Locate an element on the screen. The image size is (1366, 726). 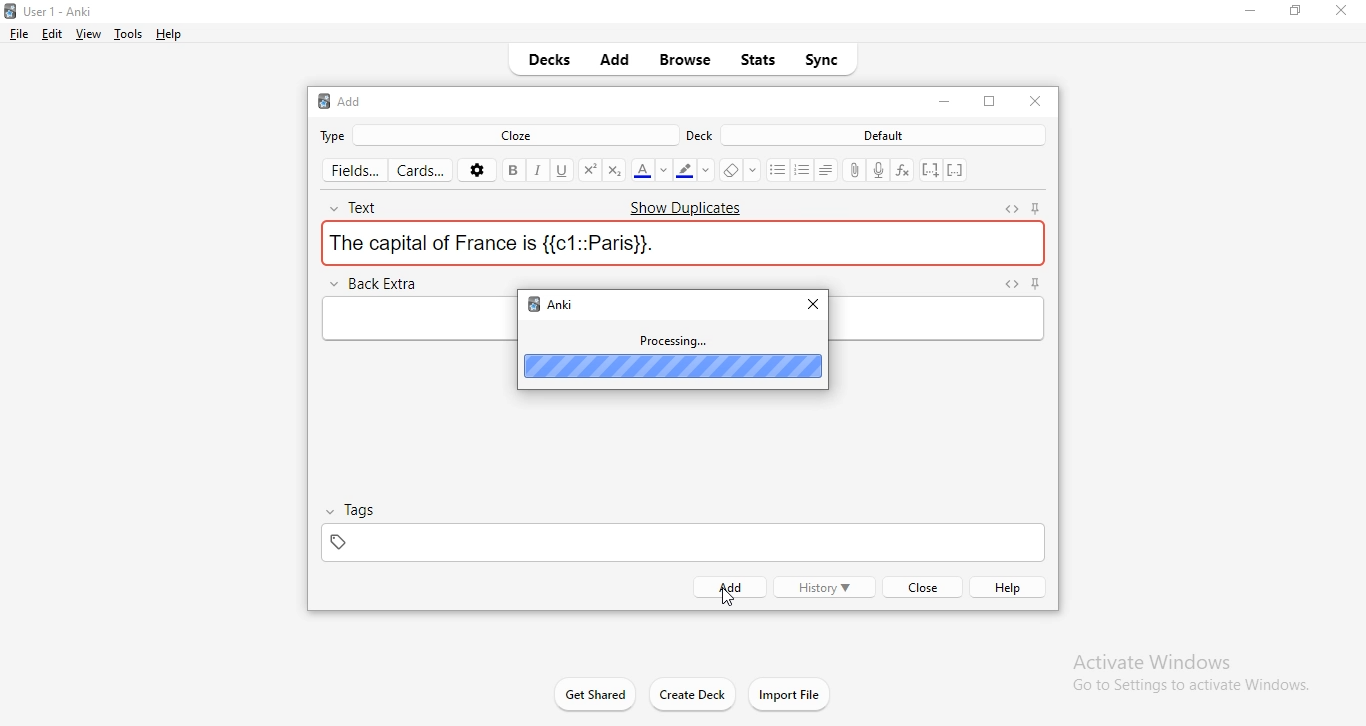
bold is located at coordinates (515, 169).